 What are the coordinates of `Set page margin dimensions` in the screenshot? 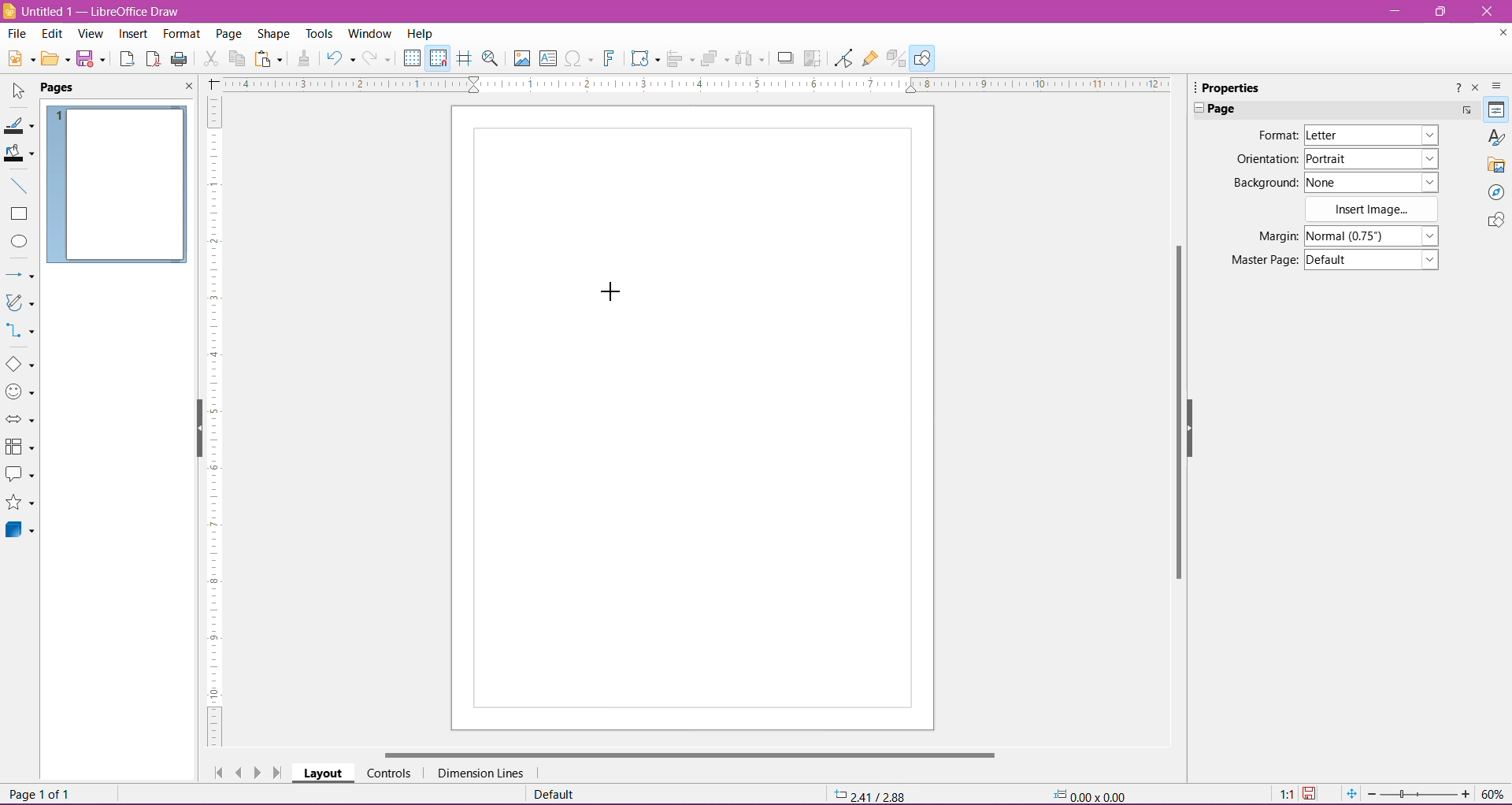 It's located at (1374, 235).